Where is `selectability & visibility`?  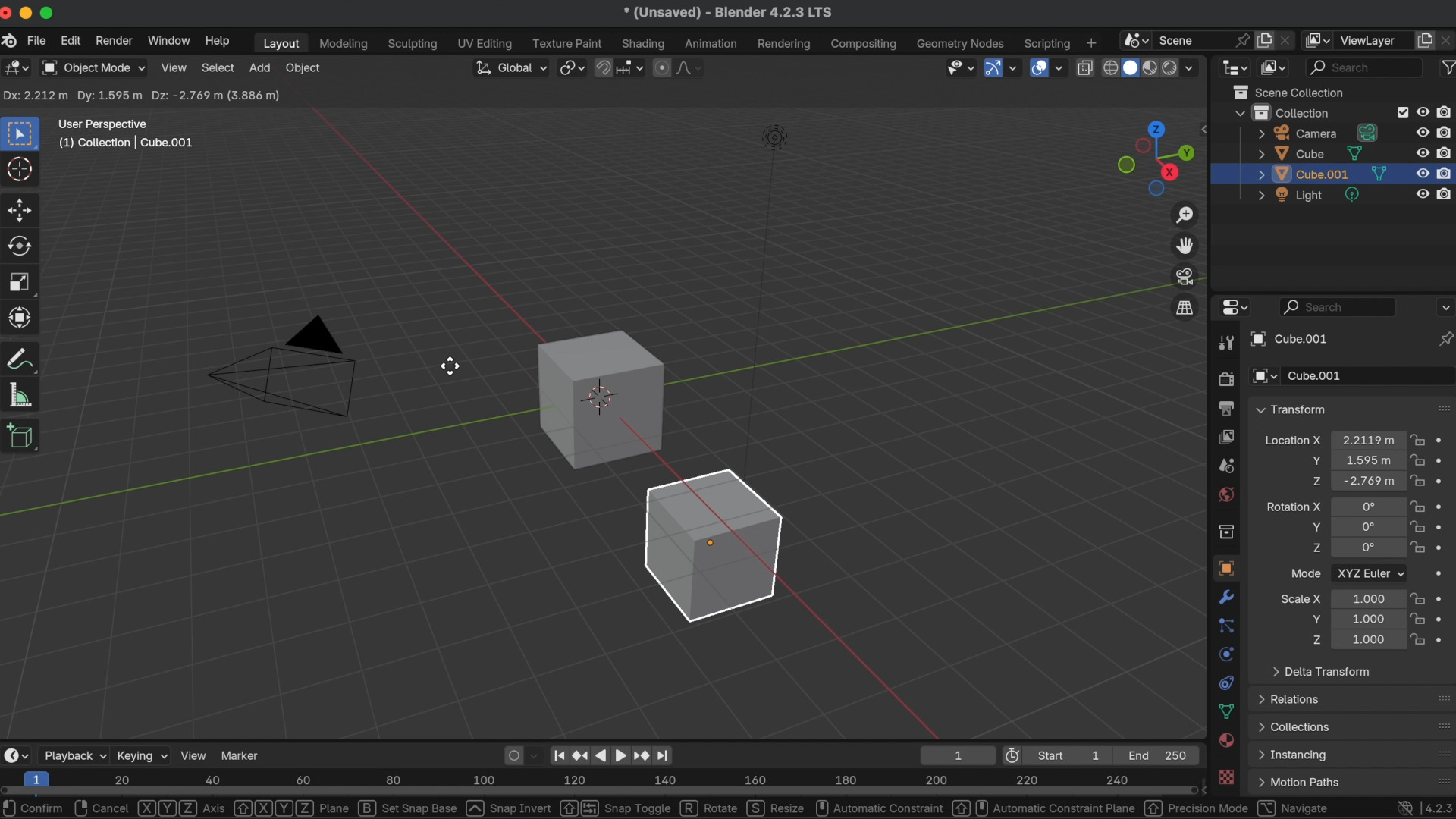 selectability & visibility is located at coordinates (959, 67).